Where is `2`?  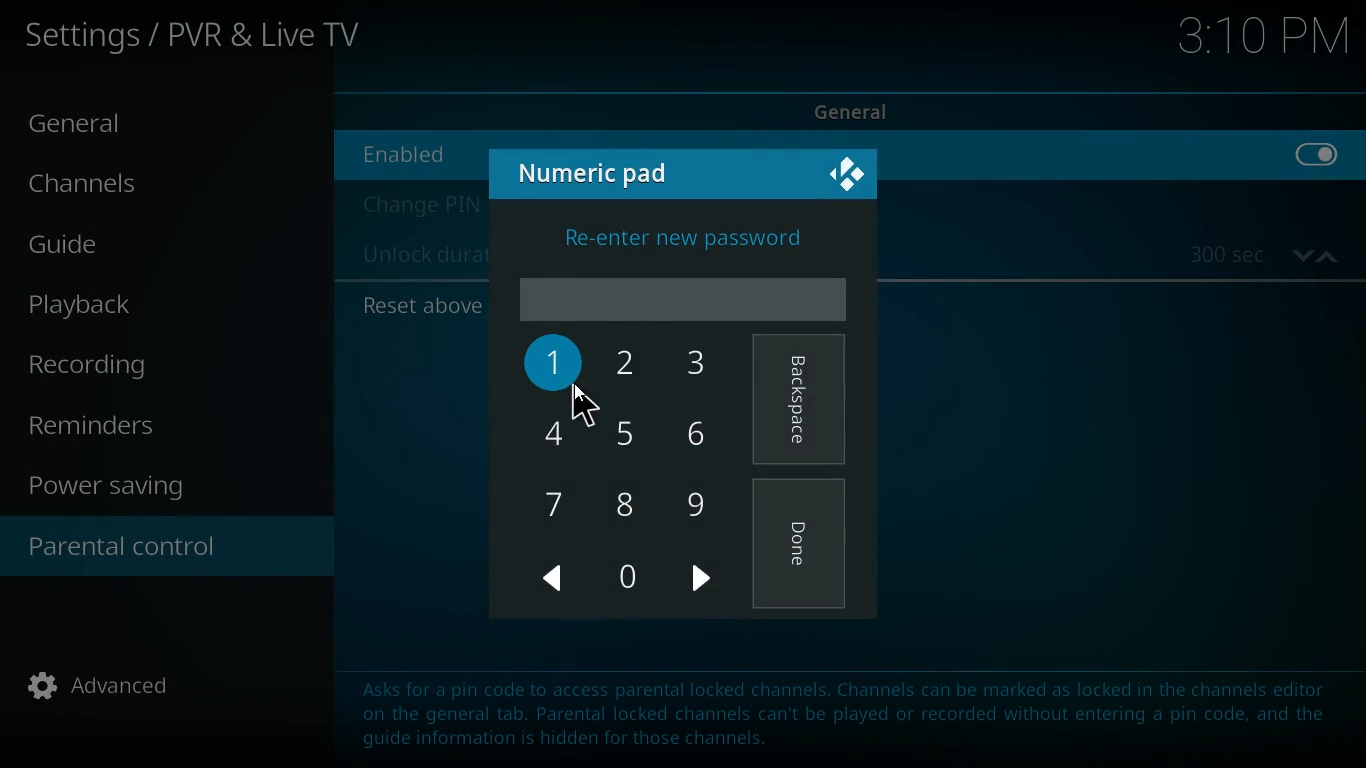
2 is located at coordinates (632, 365).